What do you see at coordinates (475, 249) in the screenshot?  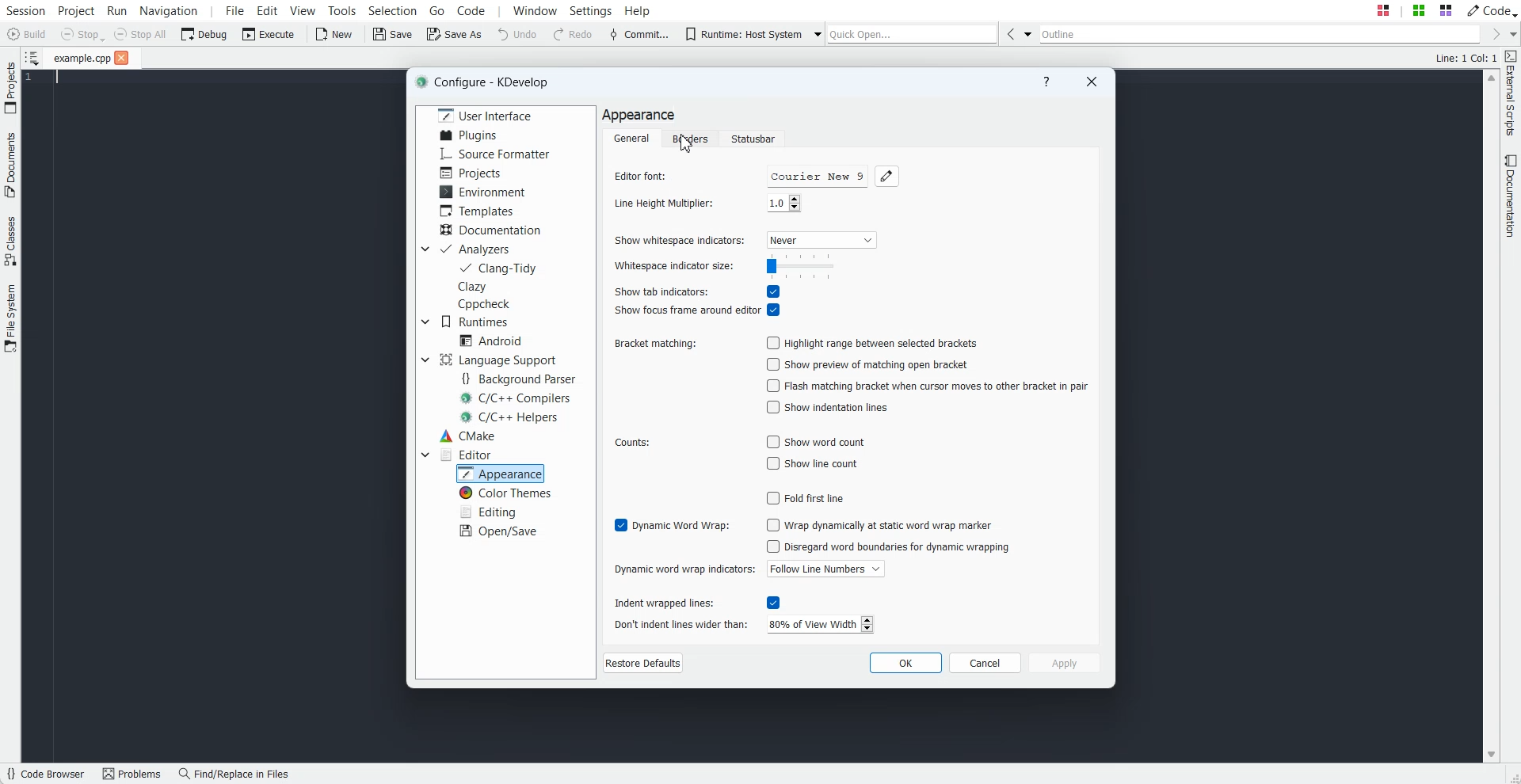 I see `Analyzers` at bounding box center [475, 249].